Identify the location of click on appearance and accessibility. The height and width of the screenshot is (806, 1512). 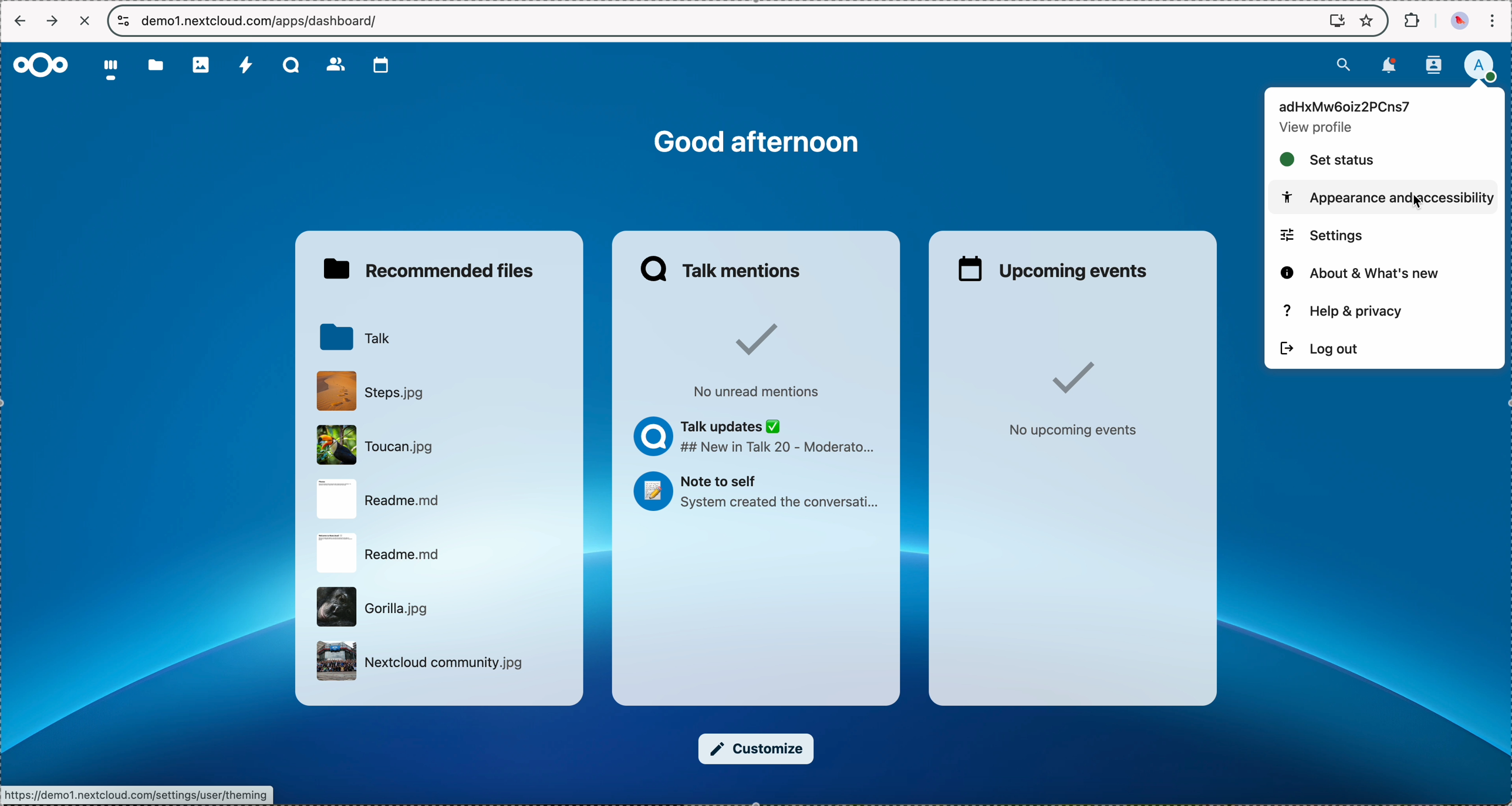
(1385, 197).